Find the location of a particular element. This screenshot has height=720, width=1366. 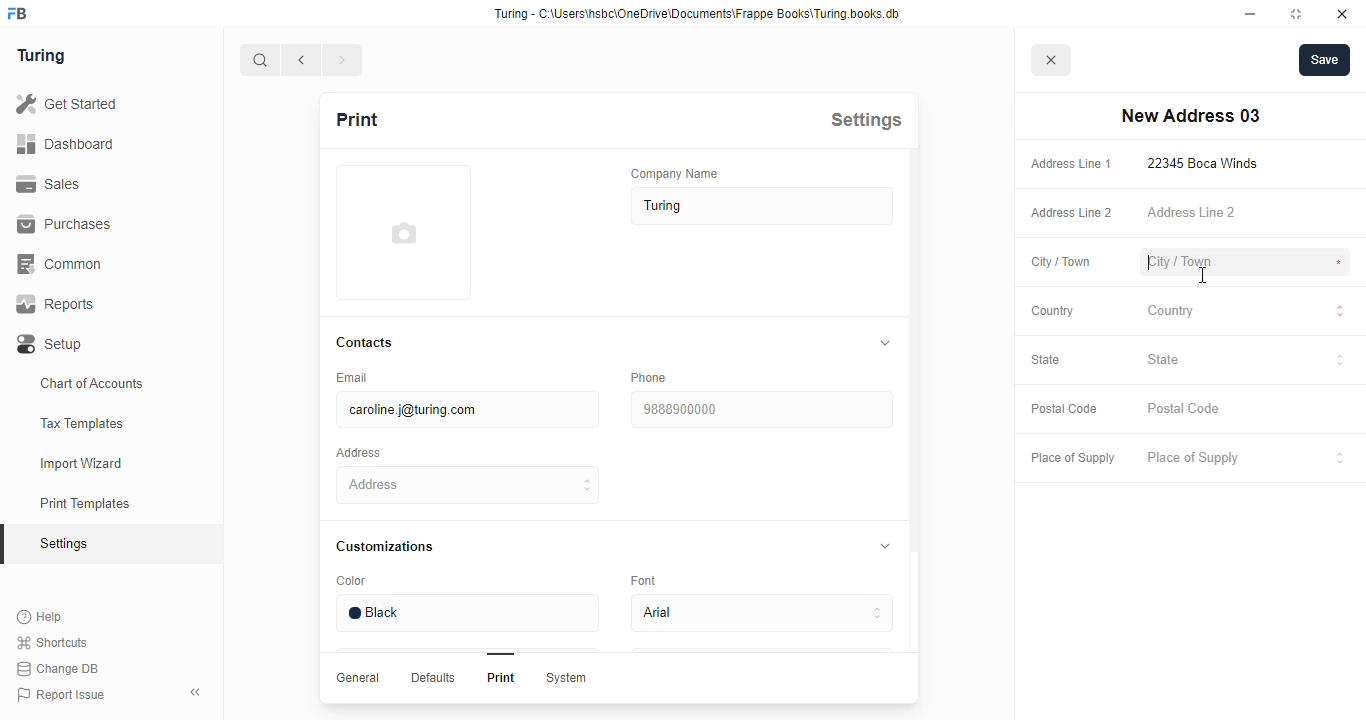

previous is located at coordinates (302, 60).